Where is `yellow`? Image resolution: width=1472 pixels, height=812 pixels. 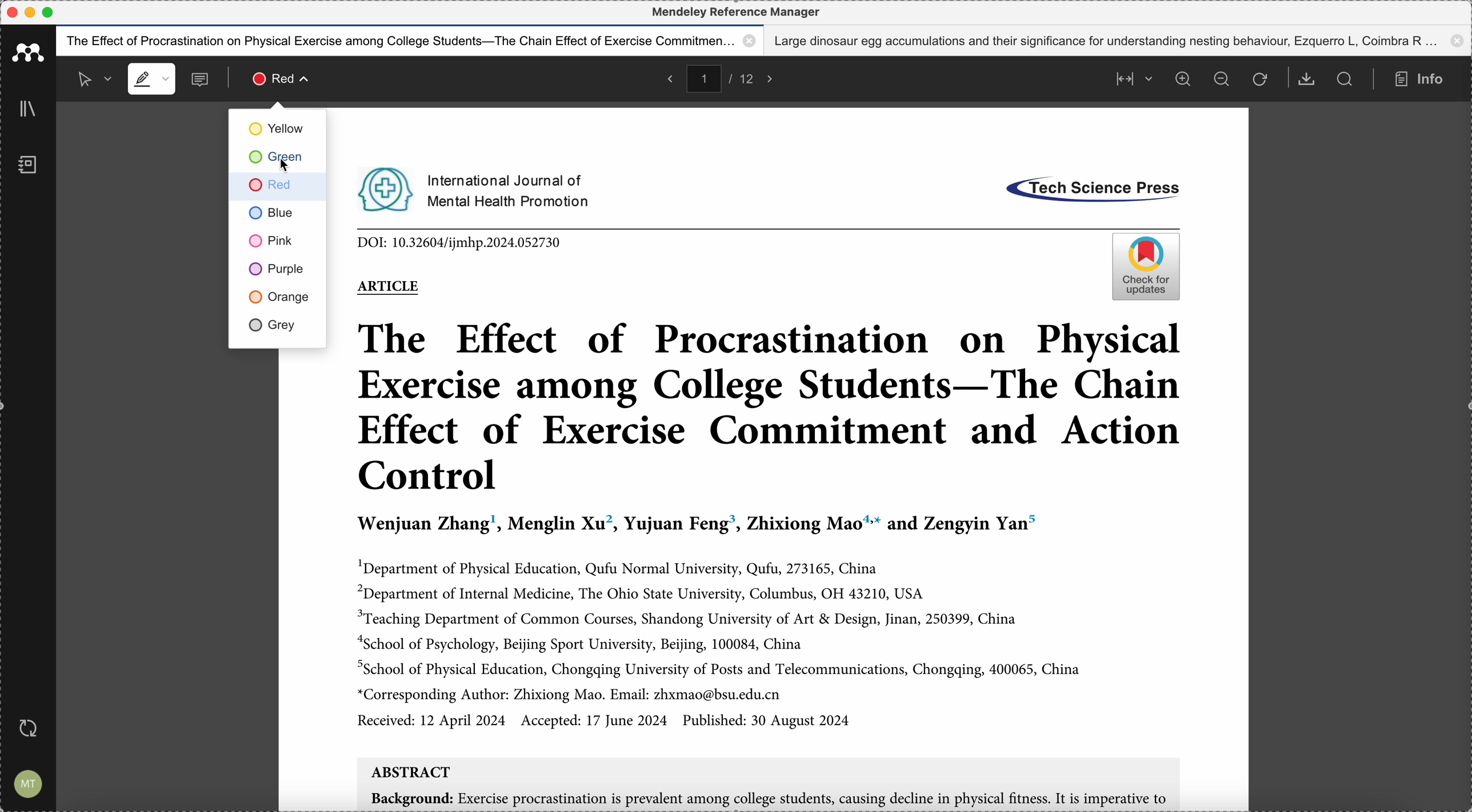 yellow is located at coordinates (278, 126).